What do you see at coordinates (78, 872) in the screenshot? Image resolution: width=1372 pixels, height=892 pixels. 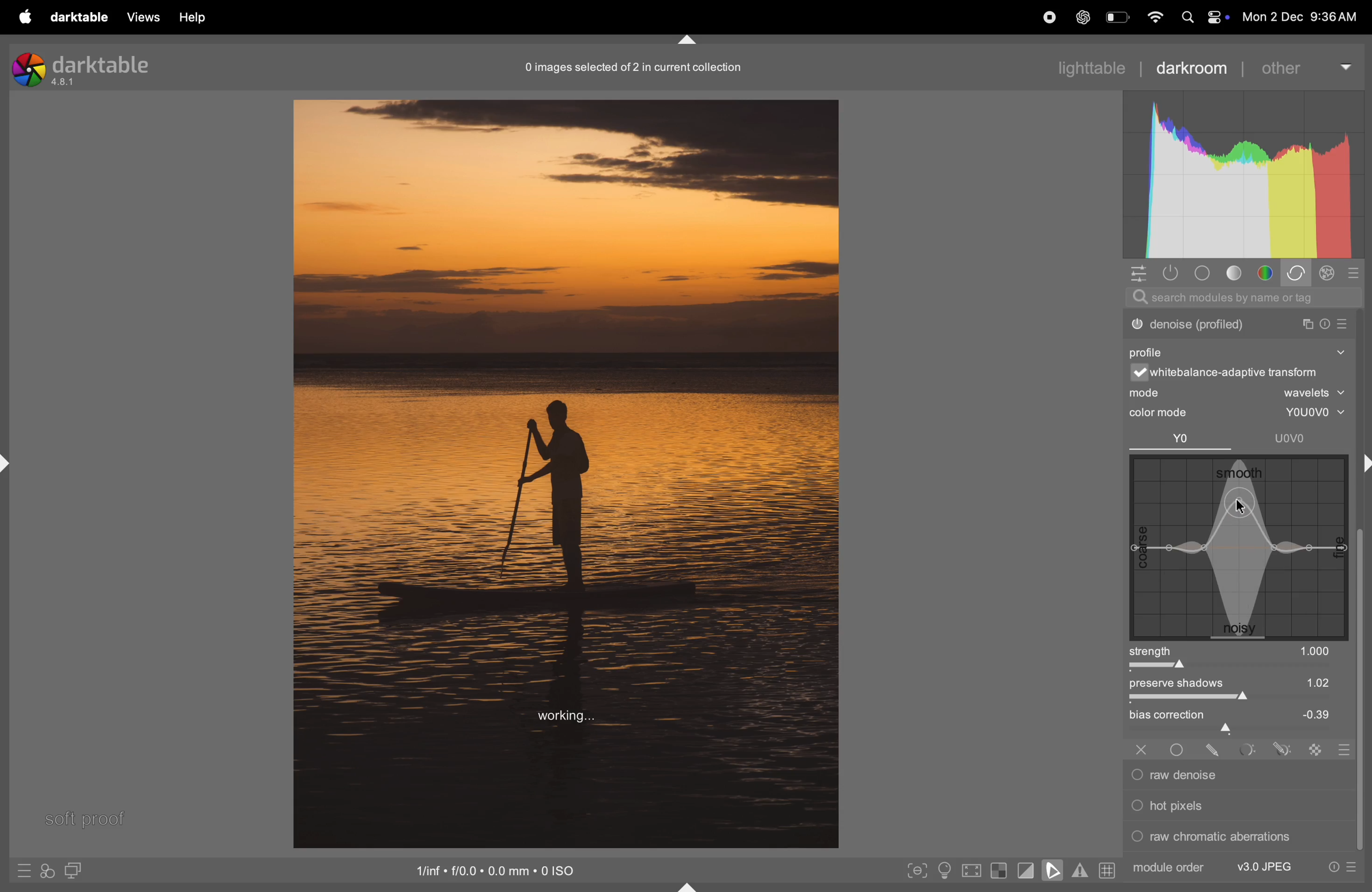 I see `diplay second room image` at bounding box center [78, 872].